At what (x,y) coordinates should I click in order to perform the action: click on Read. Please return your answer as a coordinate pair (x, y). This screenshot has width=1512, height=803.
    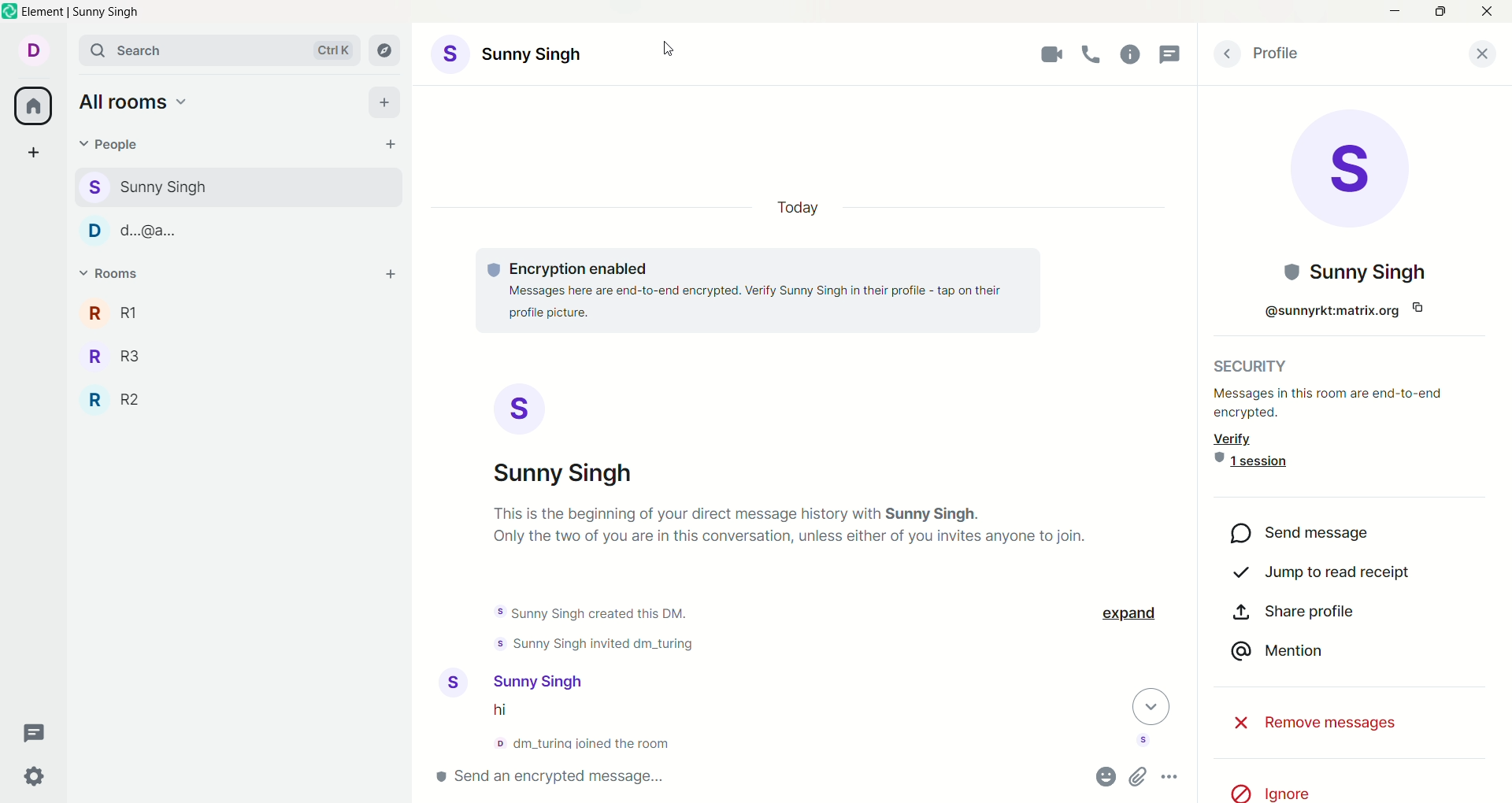
    Looking at the image, I should click on (1143, 742).